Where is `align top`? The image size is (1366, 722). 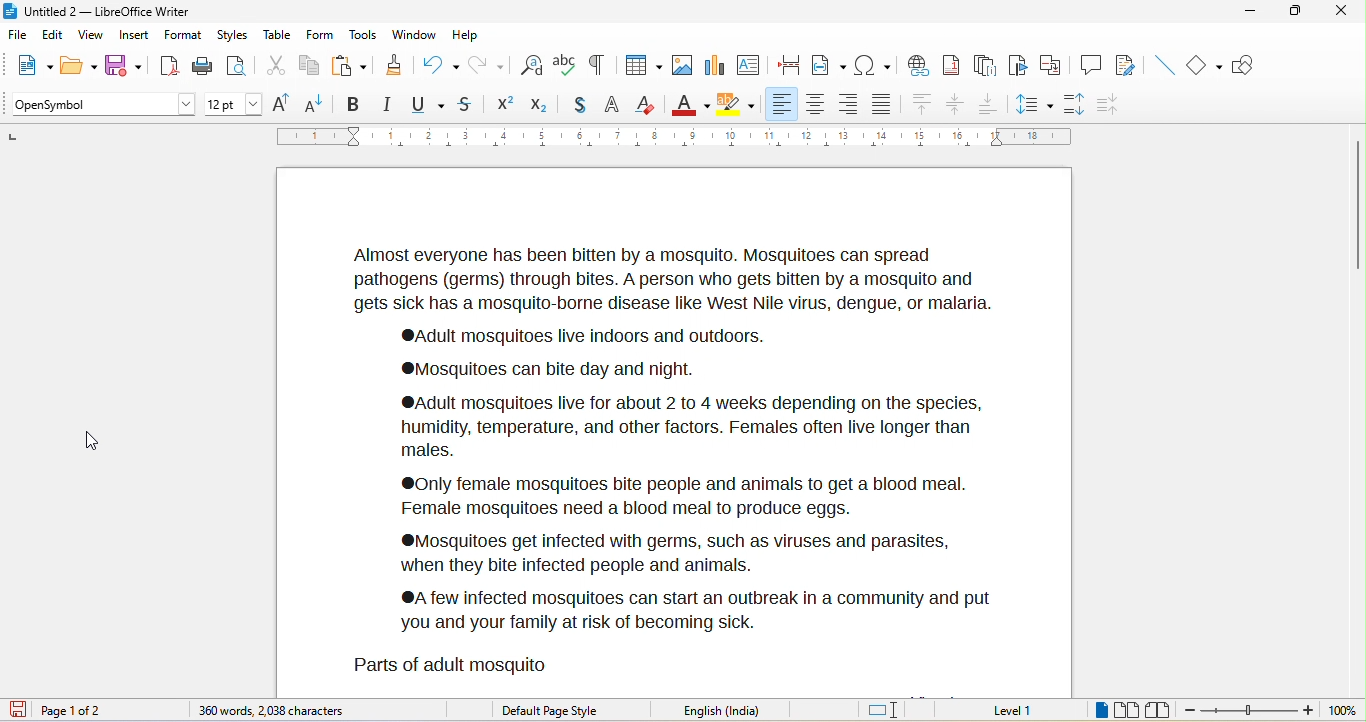 align top is located at coordinates (921, 105).